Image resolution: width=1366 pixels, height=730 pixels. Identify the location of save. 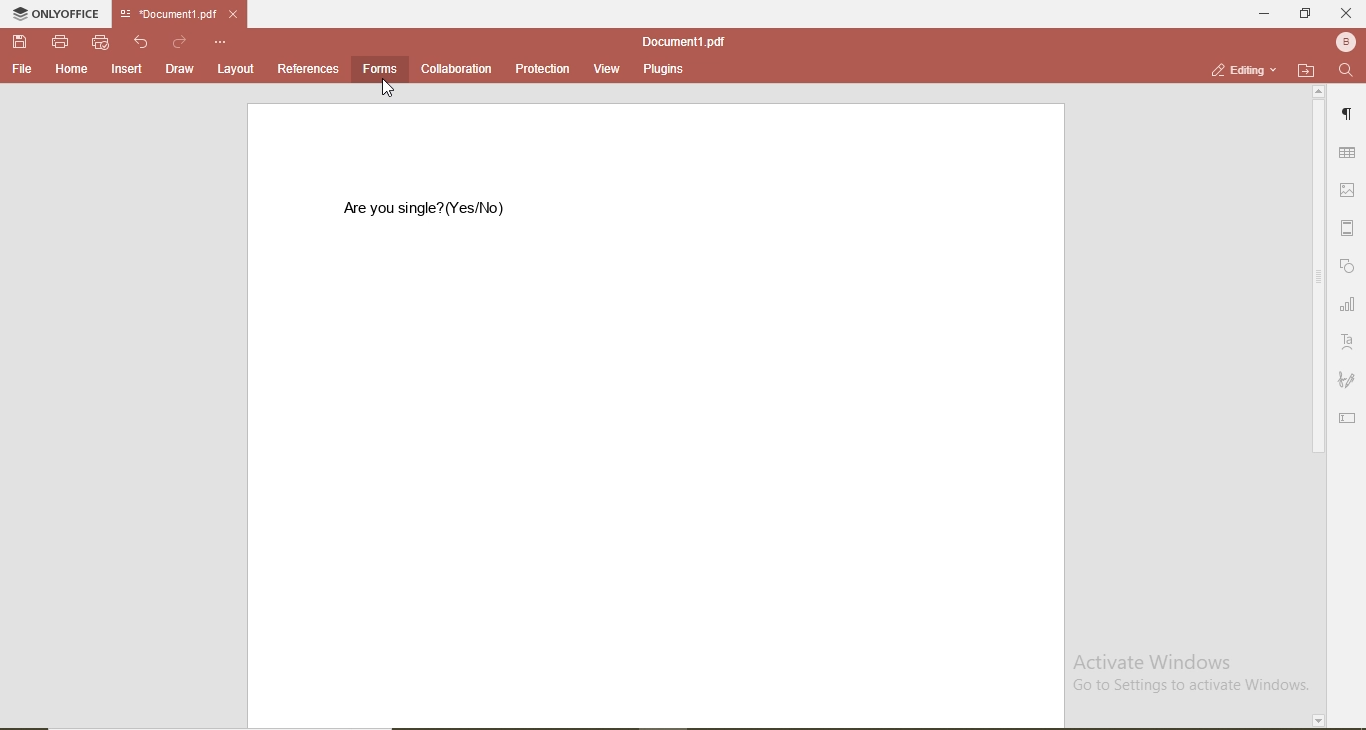
(20, 42).